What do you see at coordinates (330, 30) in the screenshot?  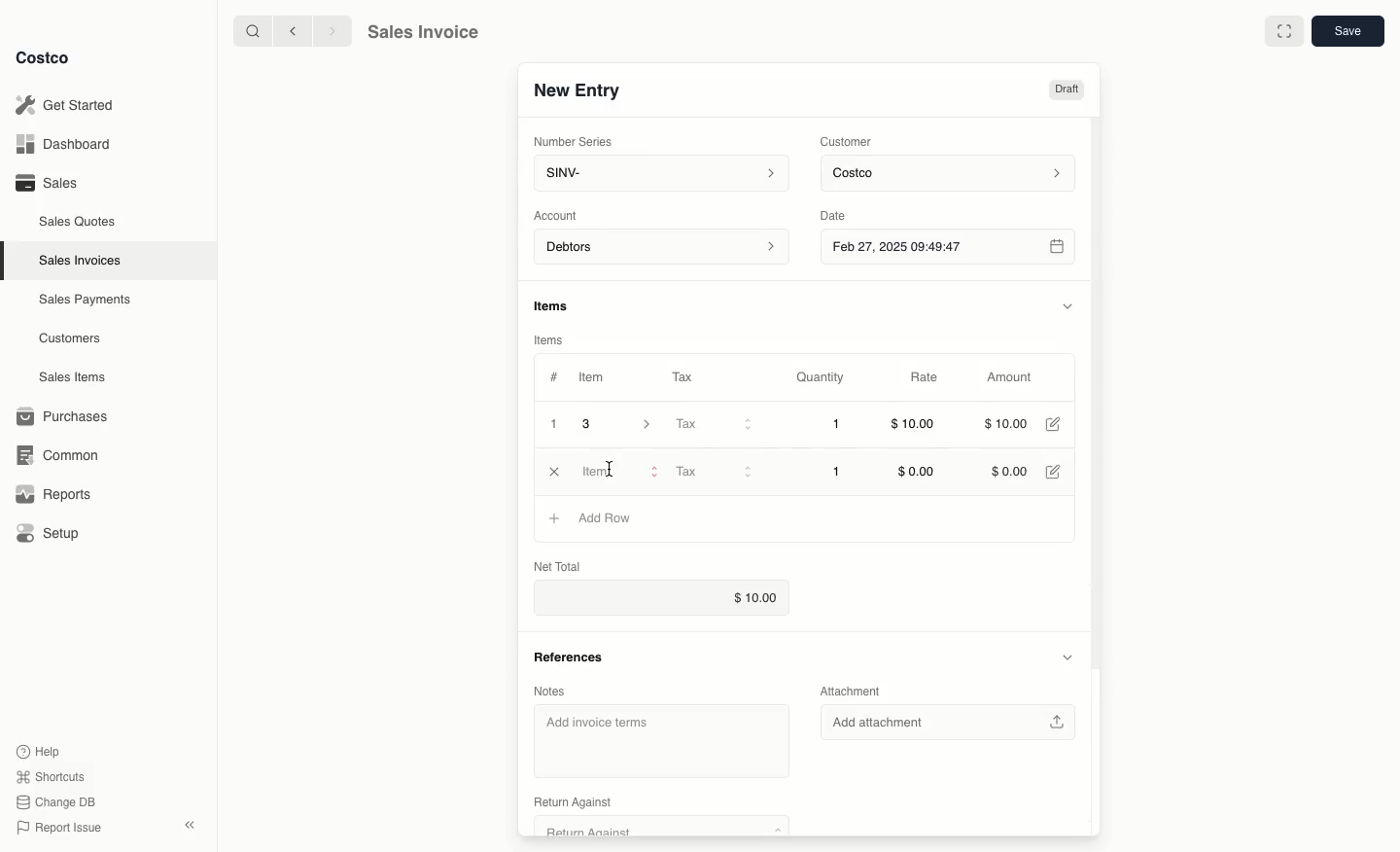 I see `forward` at bounding box center [330, 30].